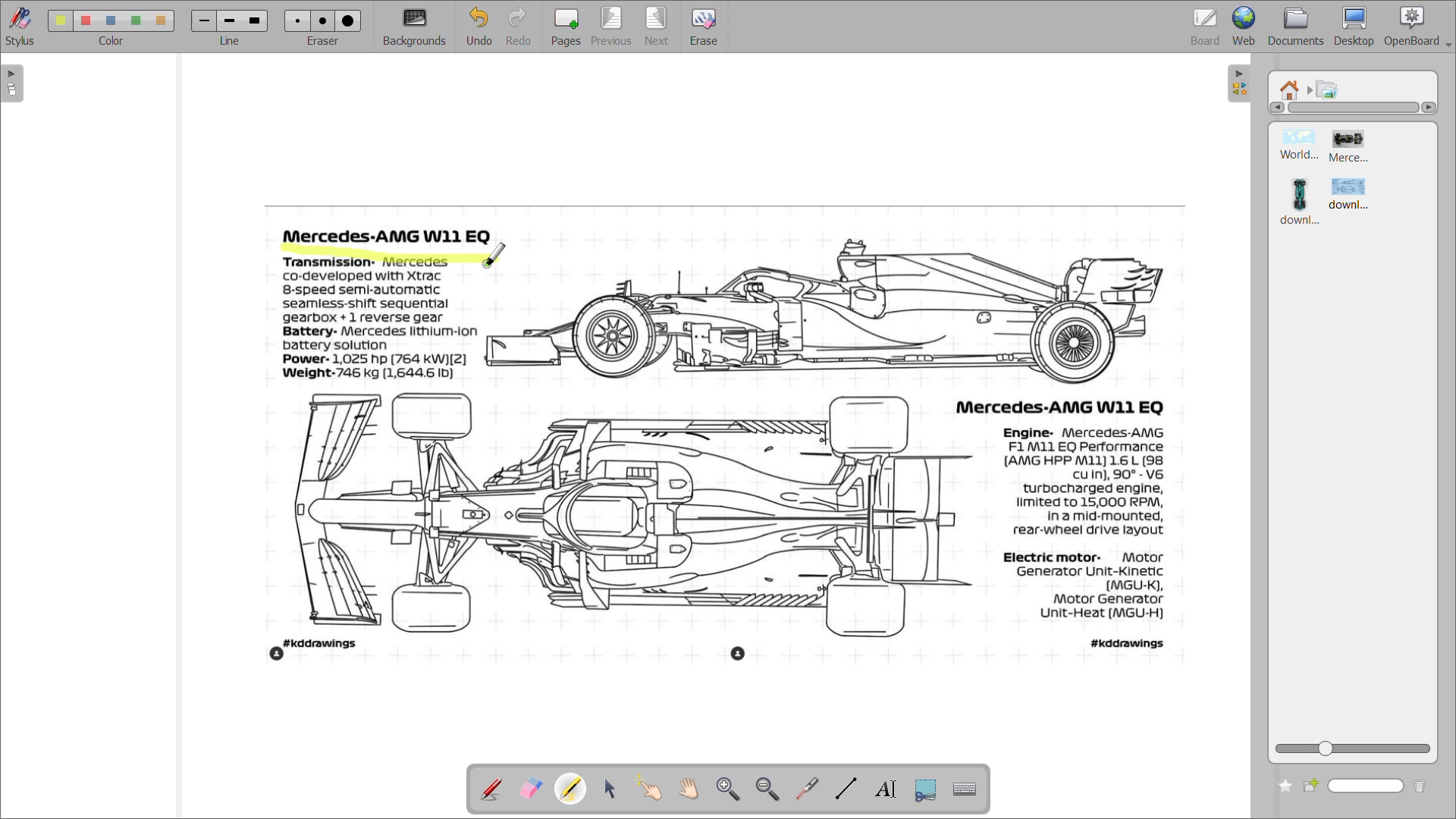 This screenshot has width=1456, height=819. I want to click on collapse, so click(1238, 84).